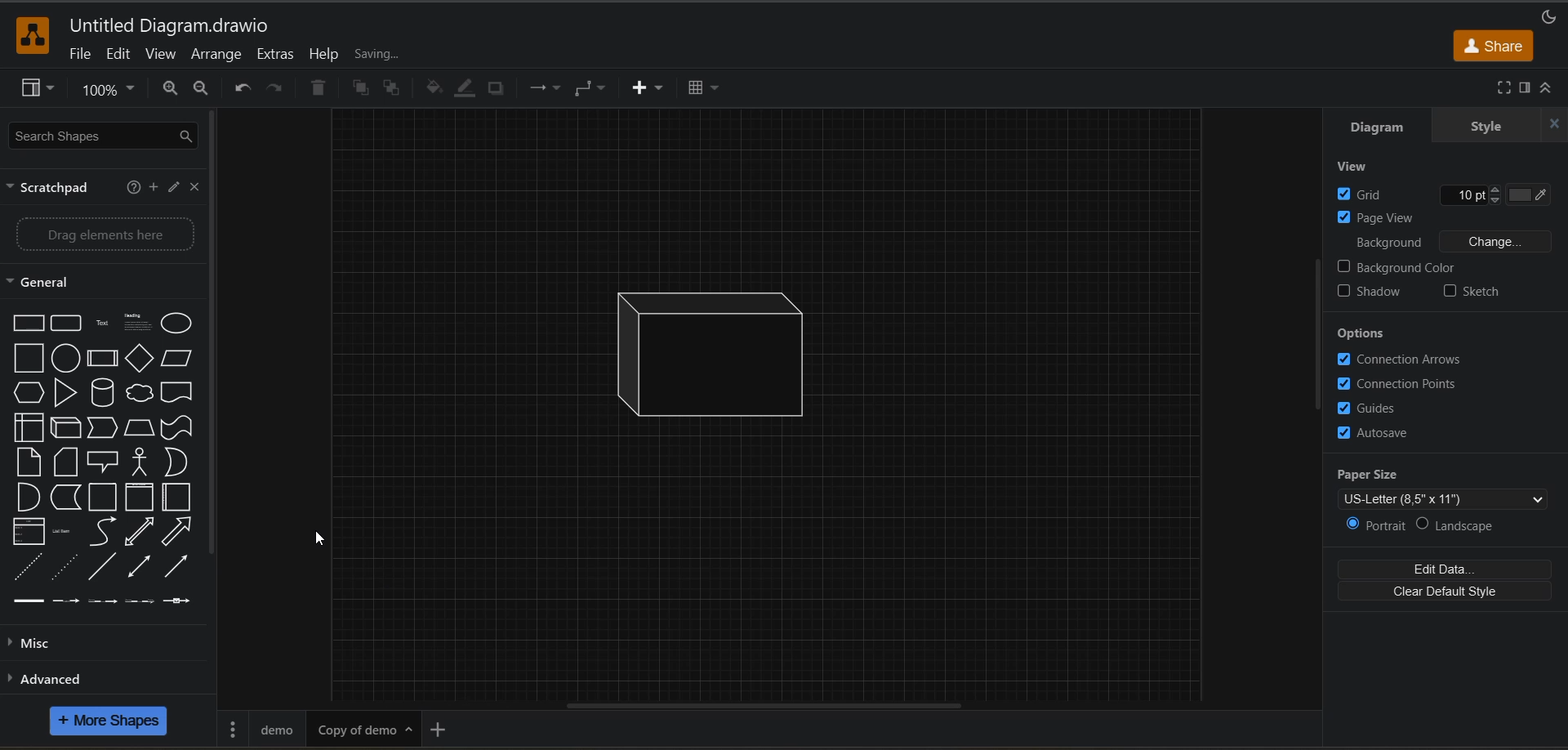  I want to click on vertical scroll bar, so click(212, 334).